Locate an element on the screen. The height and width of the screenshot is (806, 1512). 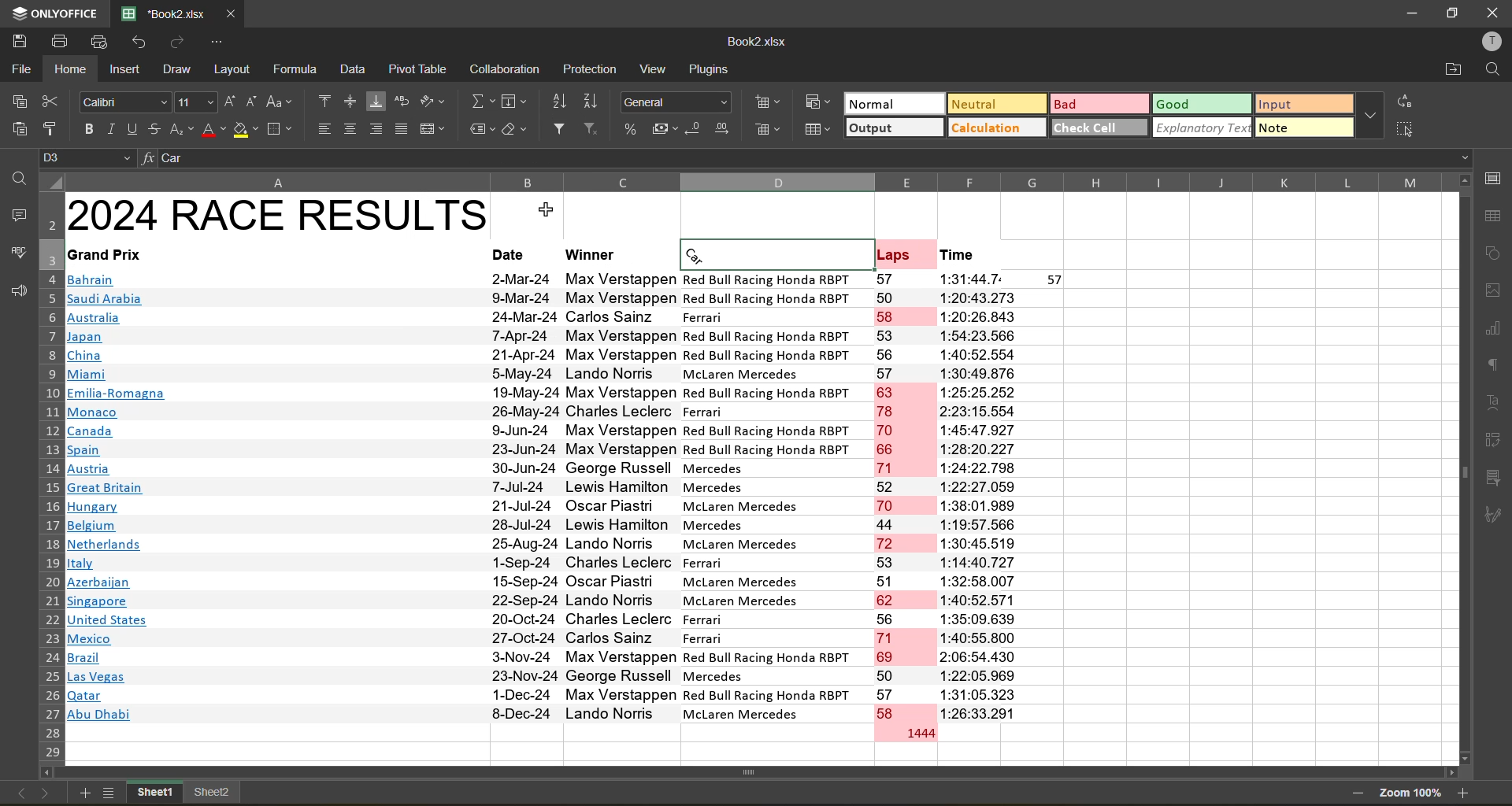
align left is located at coordinates (324, 128).